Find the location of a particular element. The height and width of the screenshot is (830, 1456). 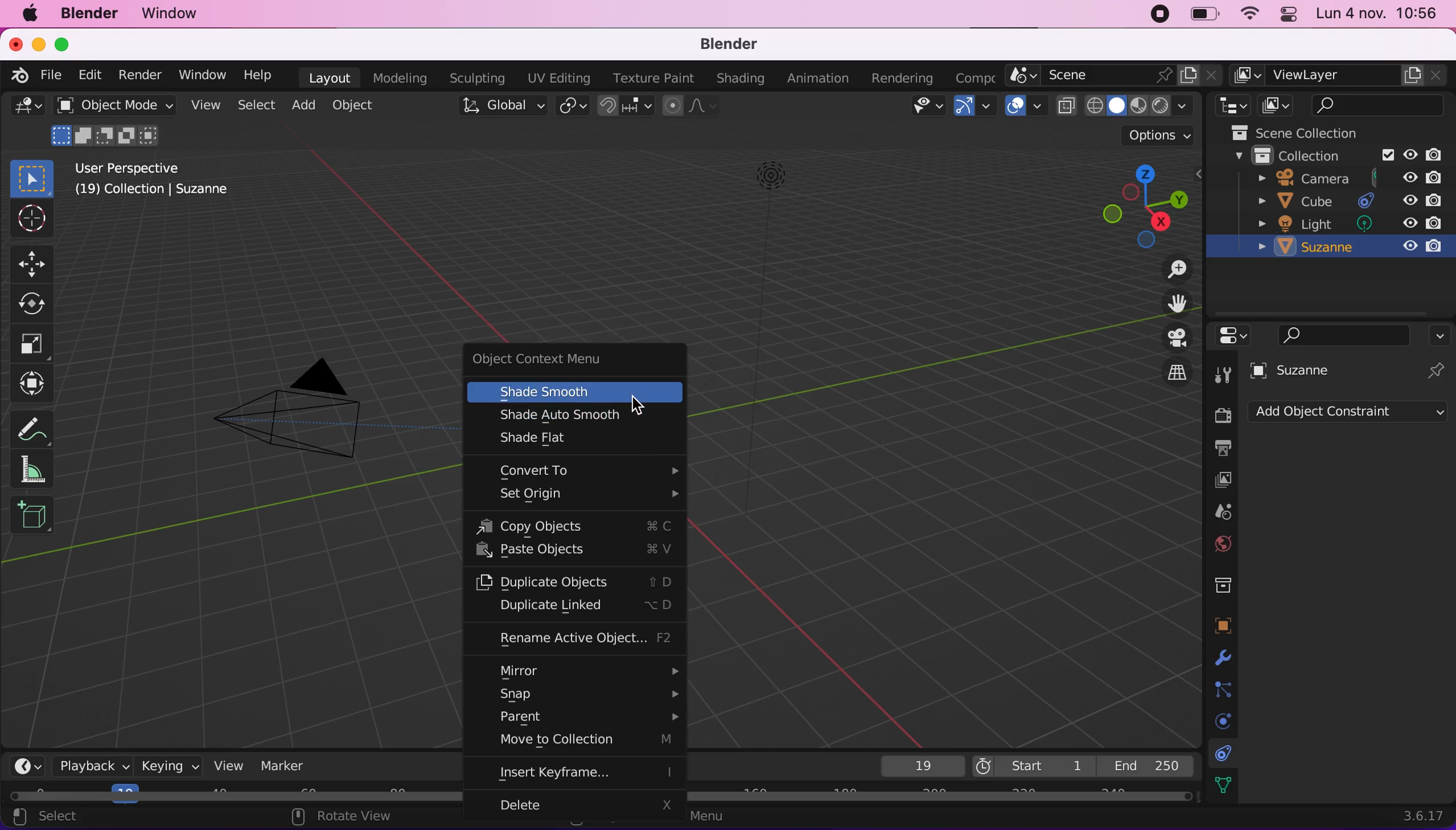

object is located at coordinates (1222, 621).